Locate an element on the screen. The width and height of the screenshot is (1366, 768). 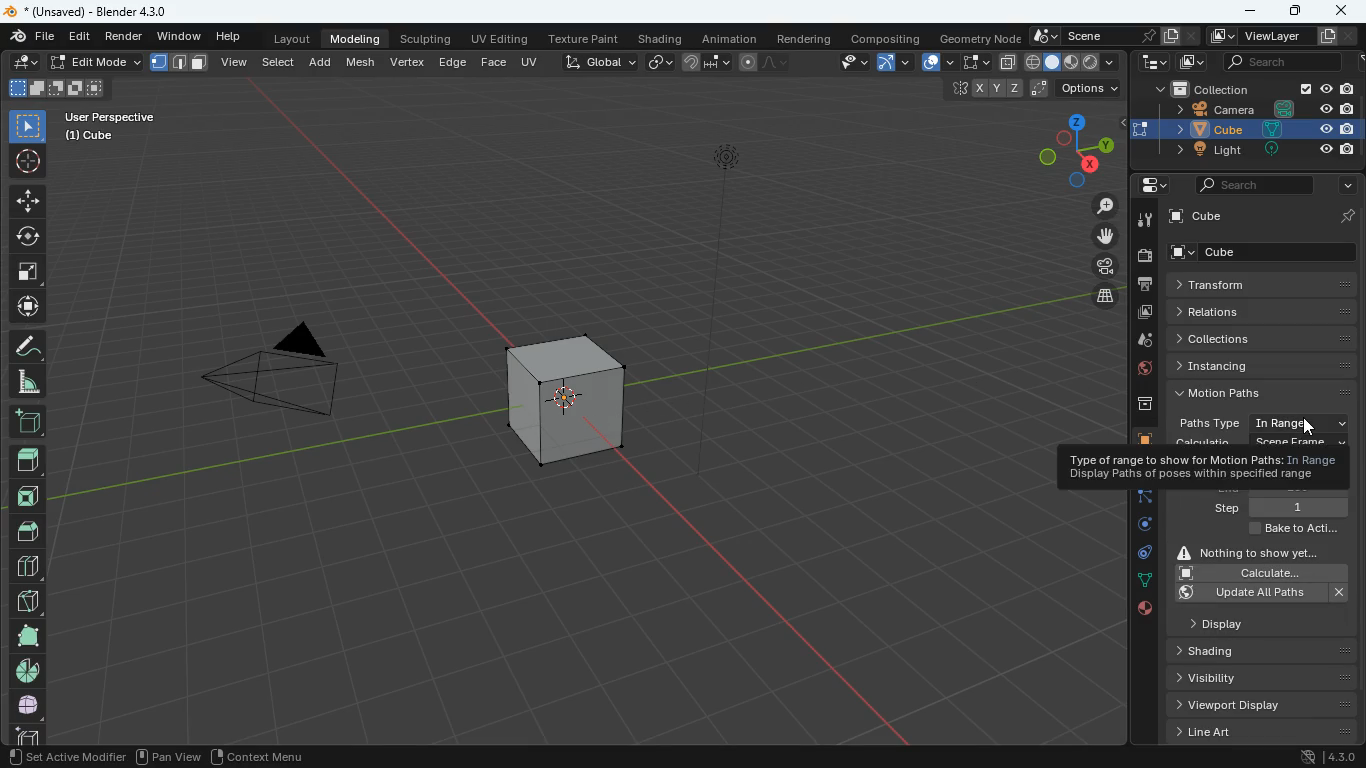
whole is located at coordinates (26, 635).